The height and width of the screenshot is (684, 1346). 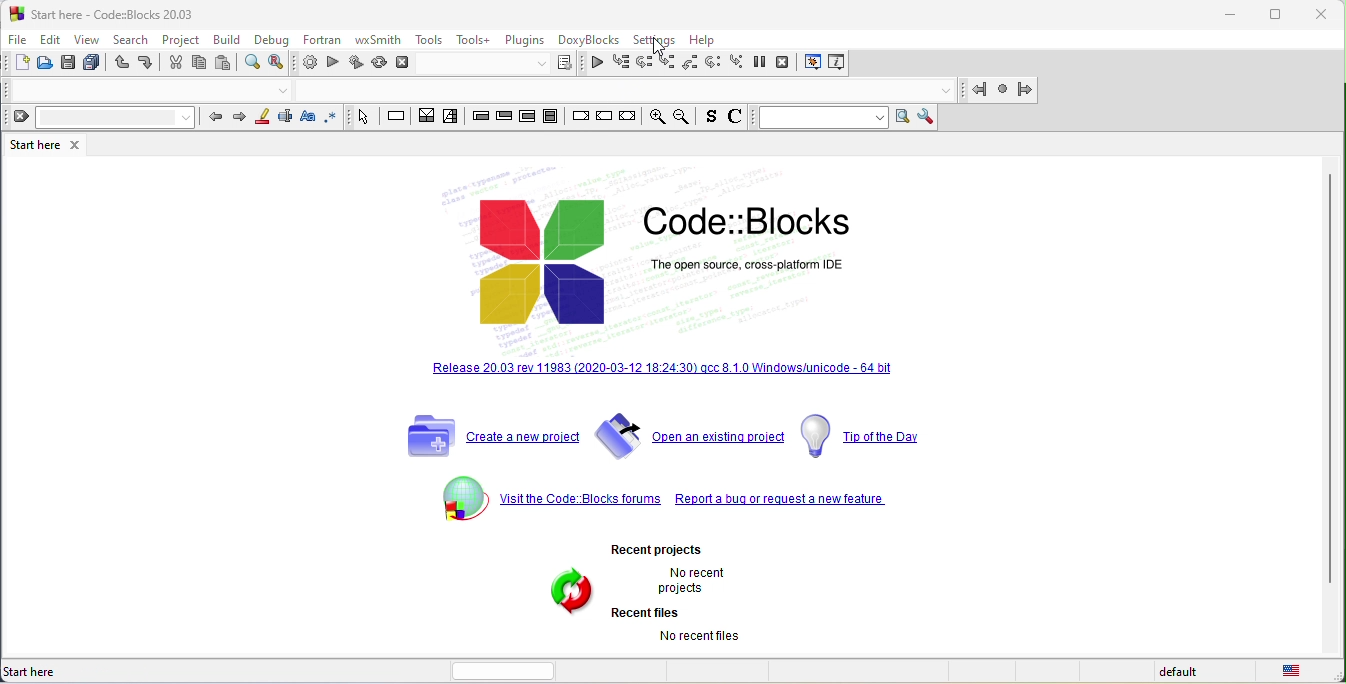 What do you see at coordinates (840, 65) in the screenshot?
I see `various info` at bounding box center [840, 65].